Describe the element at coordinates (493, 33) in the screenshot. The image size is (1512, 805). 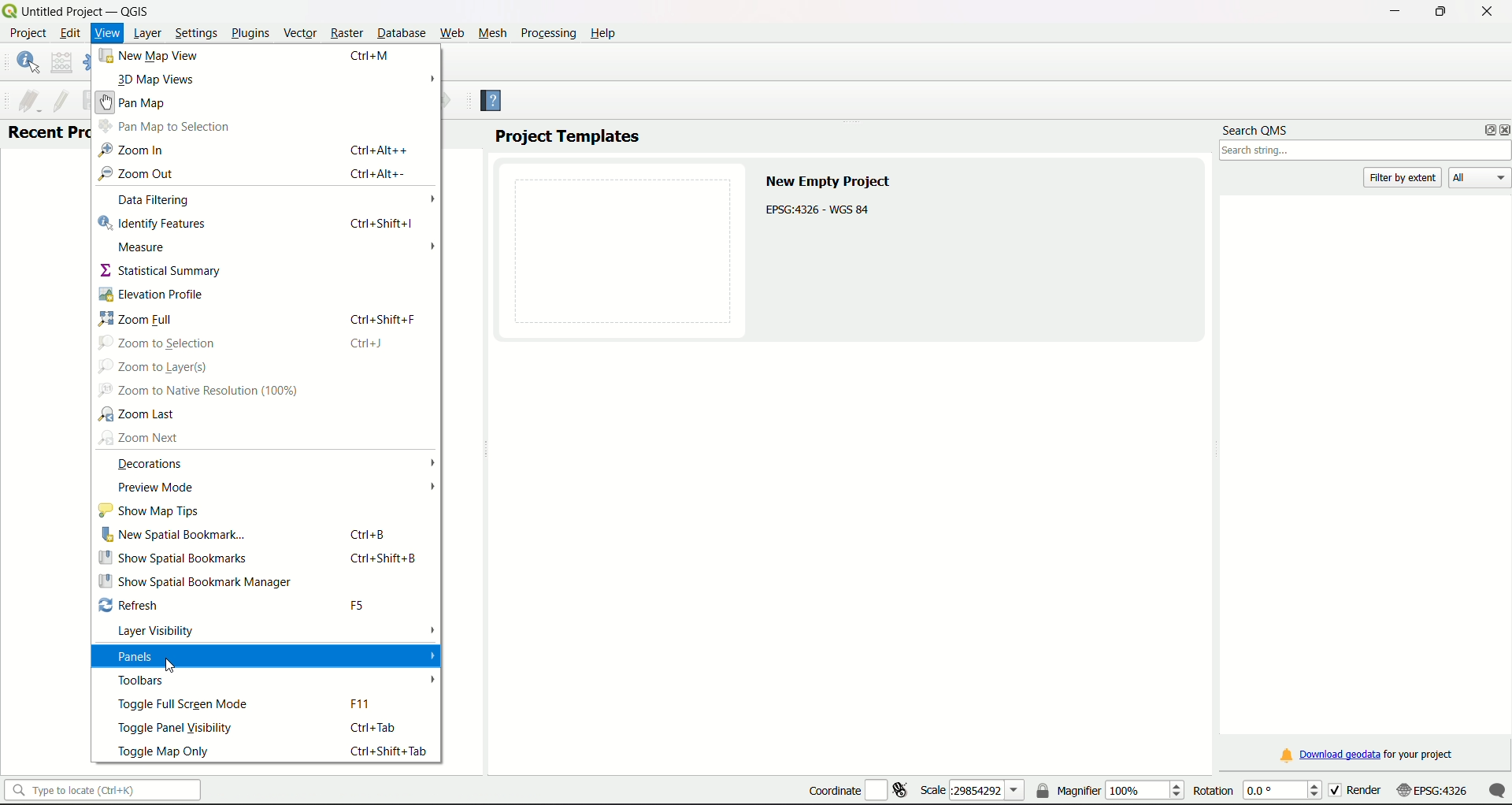
I see `Mesh` at that location.